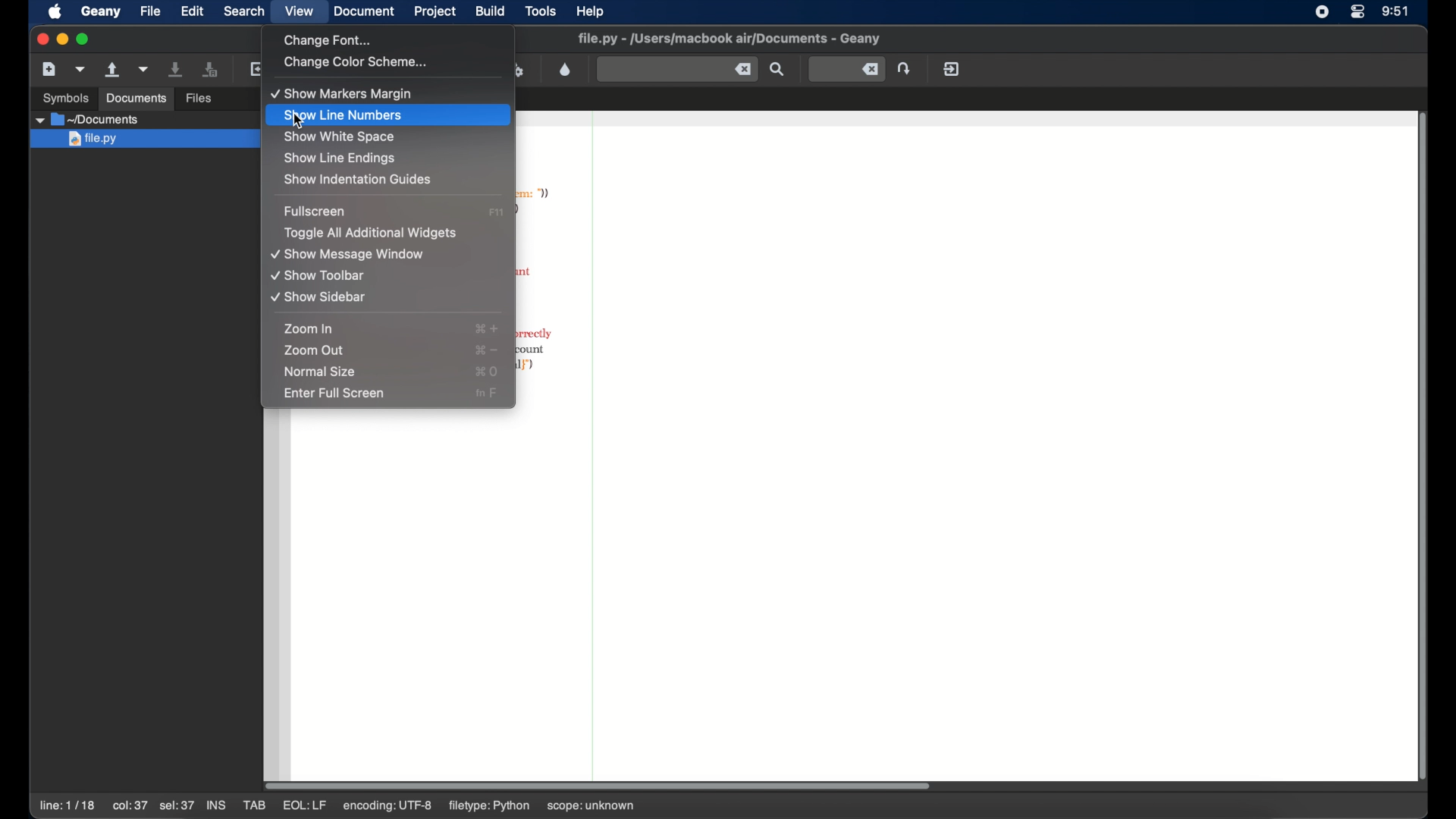 The width and height of the screenshot is (1456, 819). Describe the element at coordinates (358, 63) in the screenshot. I see `change color scheme` at that location.